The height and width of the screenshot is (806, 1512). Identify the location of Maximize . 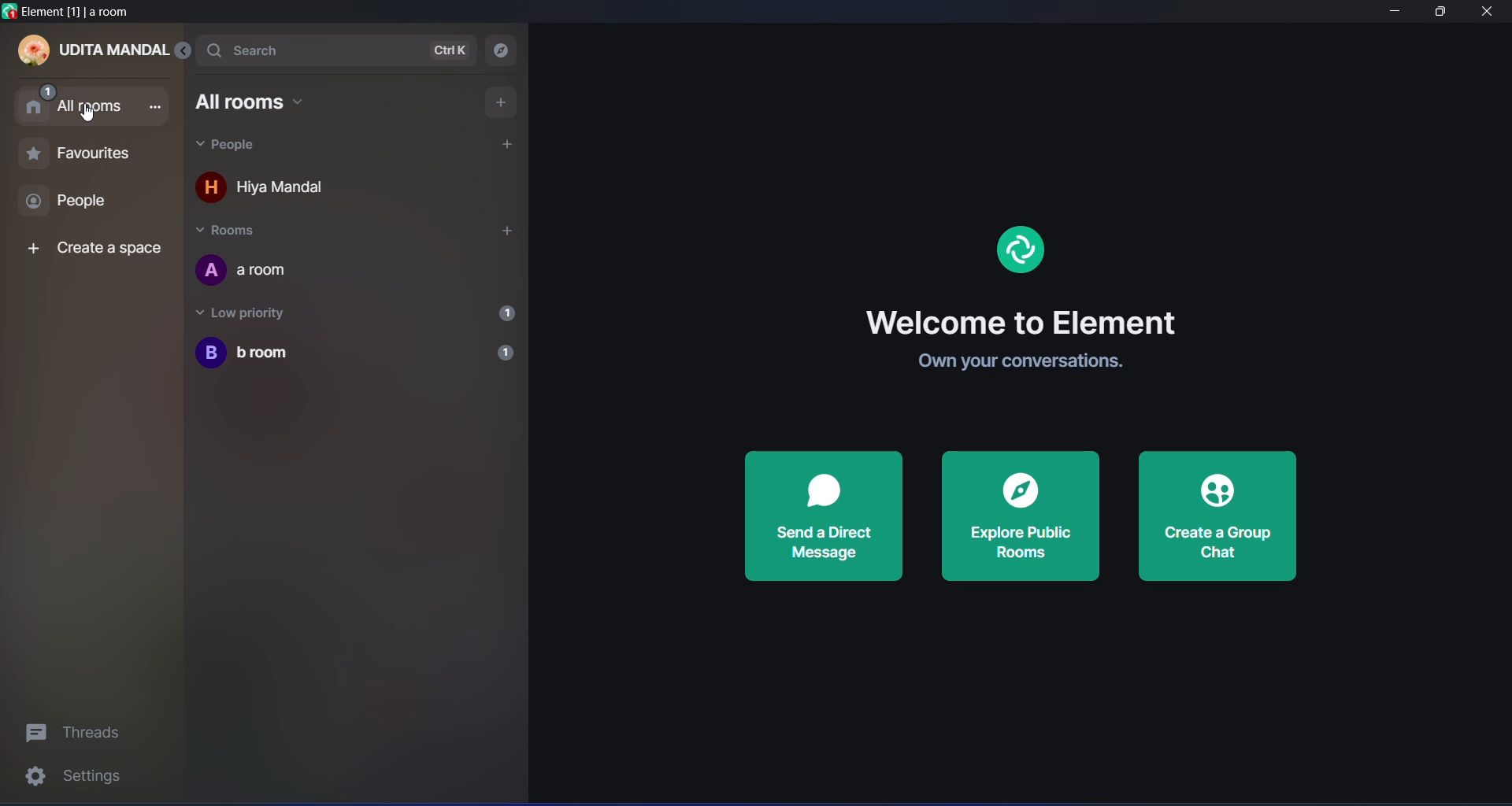
(1437, 13).